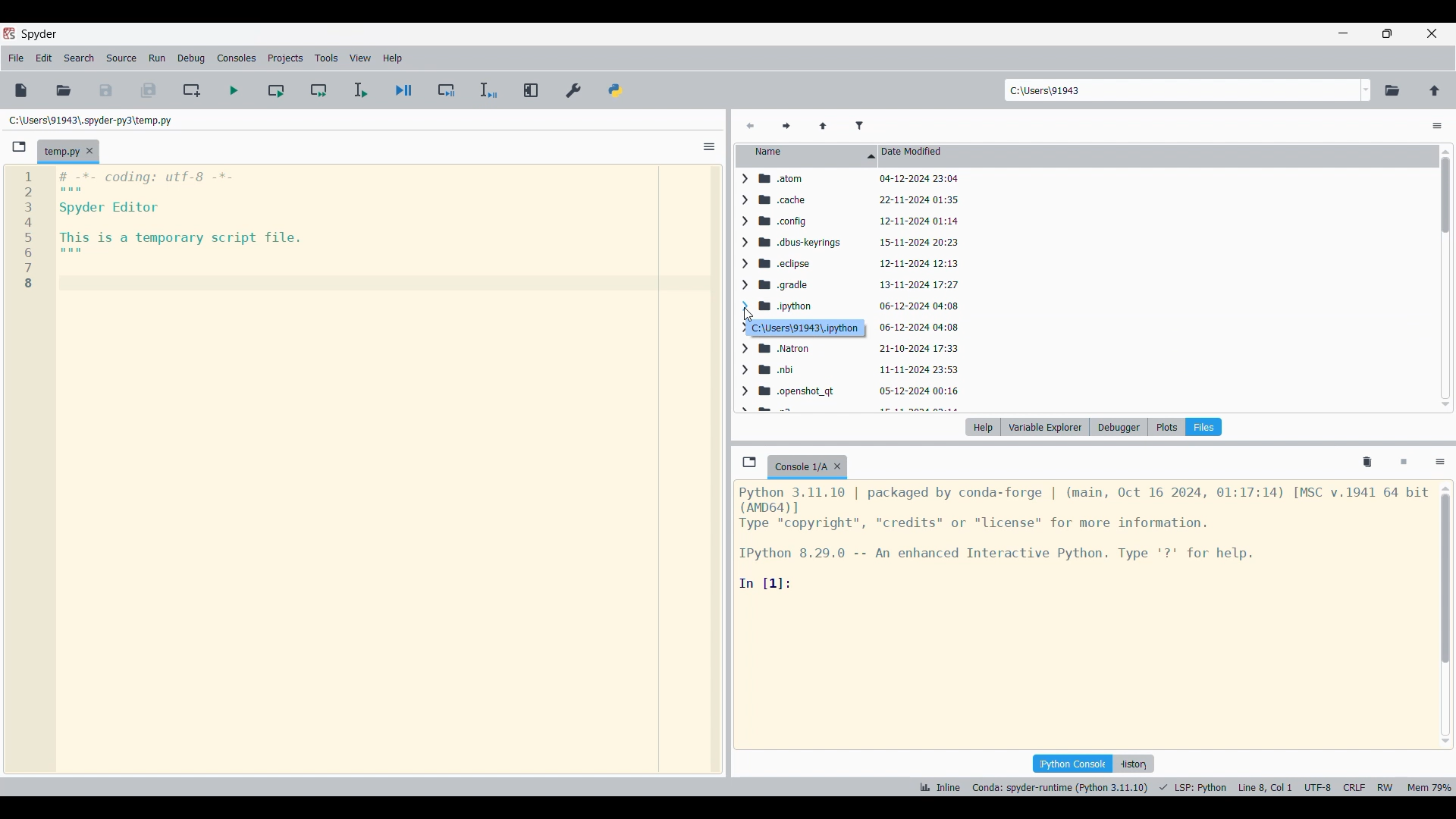 The width and height of the screenshot is (1456, 819). I want to click on Current tab, so click(60, 152).